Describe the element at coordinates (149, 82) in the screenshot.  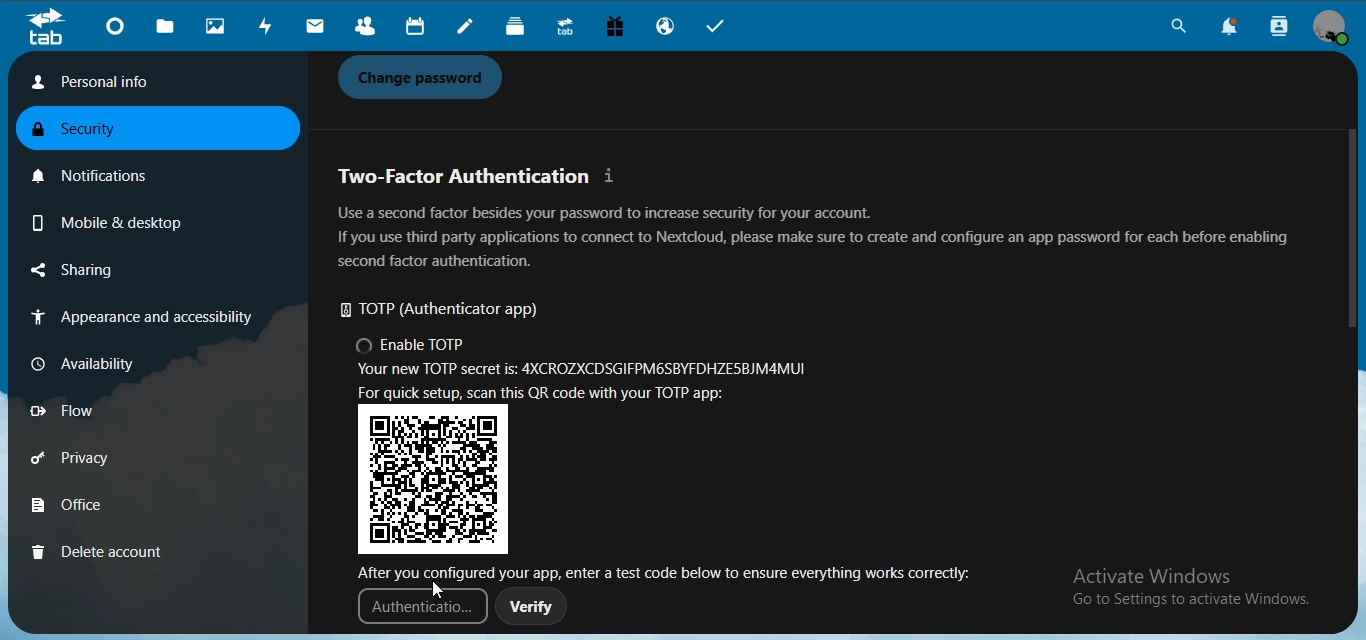
I see `personal info` at that location.